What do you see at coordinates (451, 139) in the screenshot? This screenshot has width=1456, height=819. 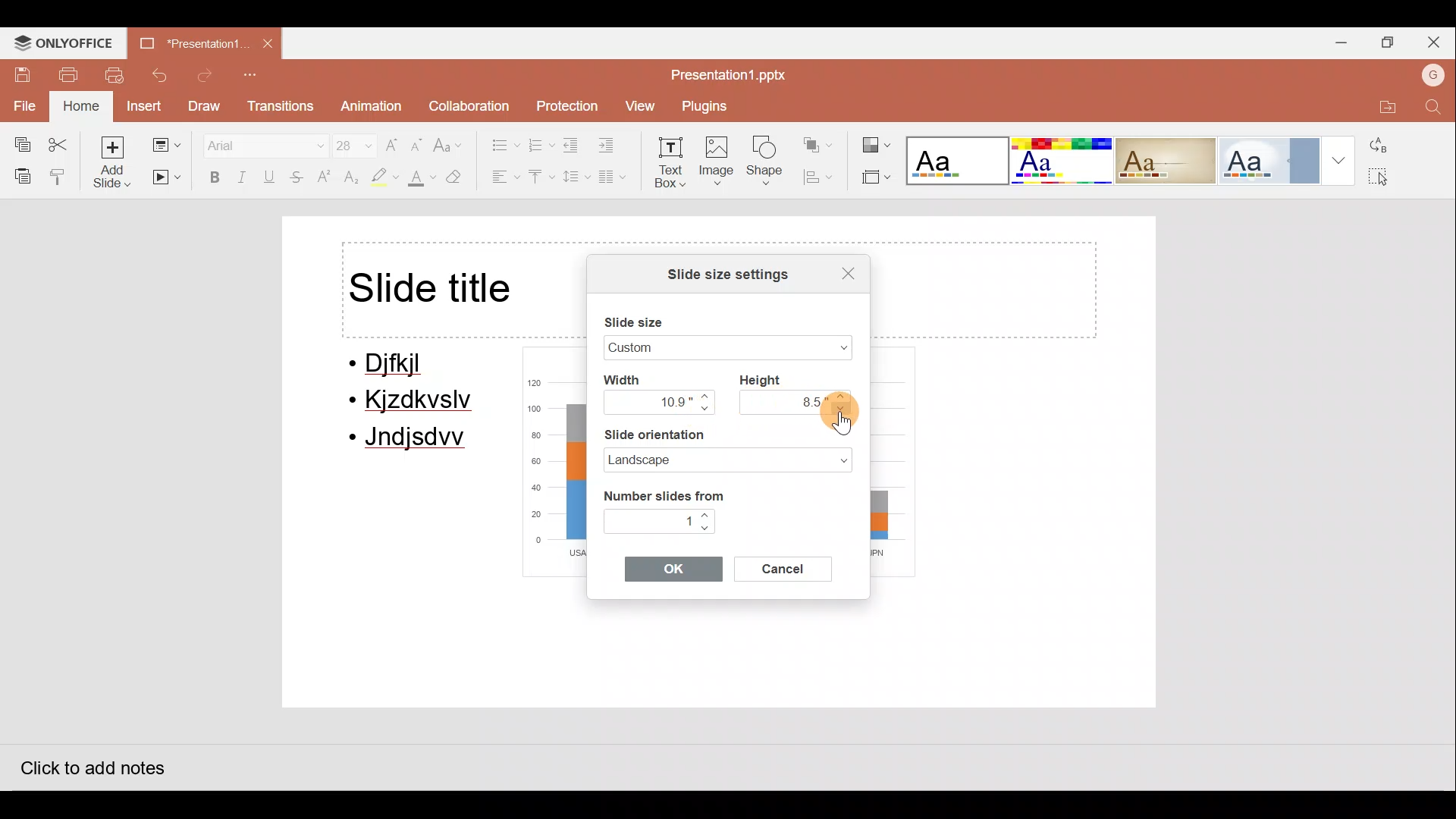 I see `Change case` at bounding box center [451, 139].